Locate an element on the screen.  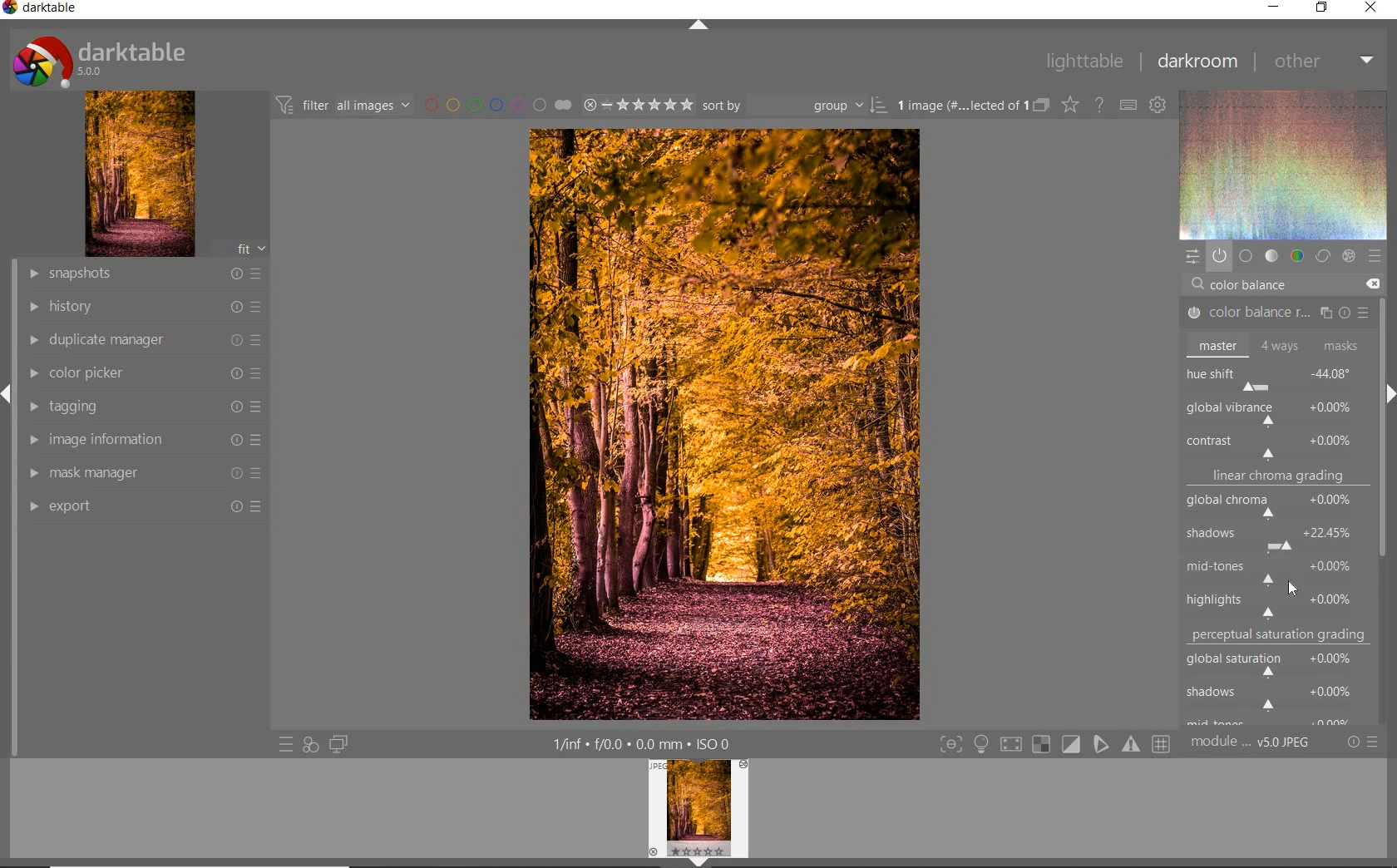
expand/collapse is located at coordinates (1389, 388).